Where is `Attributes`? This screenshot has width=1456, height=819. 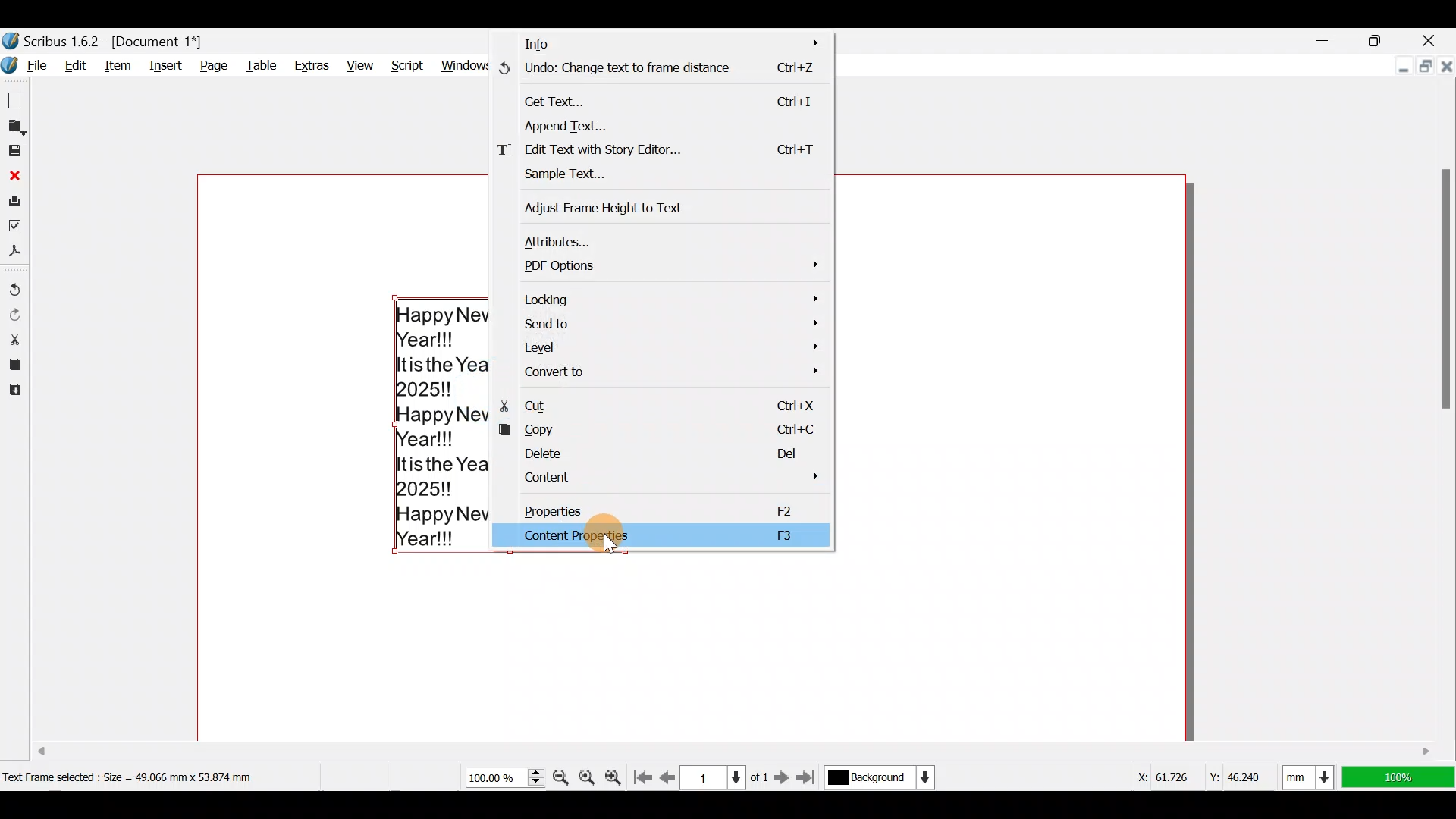
Attributes is located at coordinates (675, 237).